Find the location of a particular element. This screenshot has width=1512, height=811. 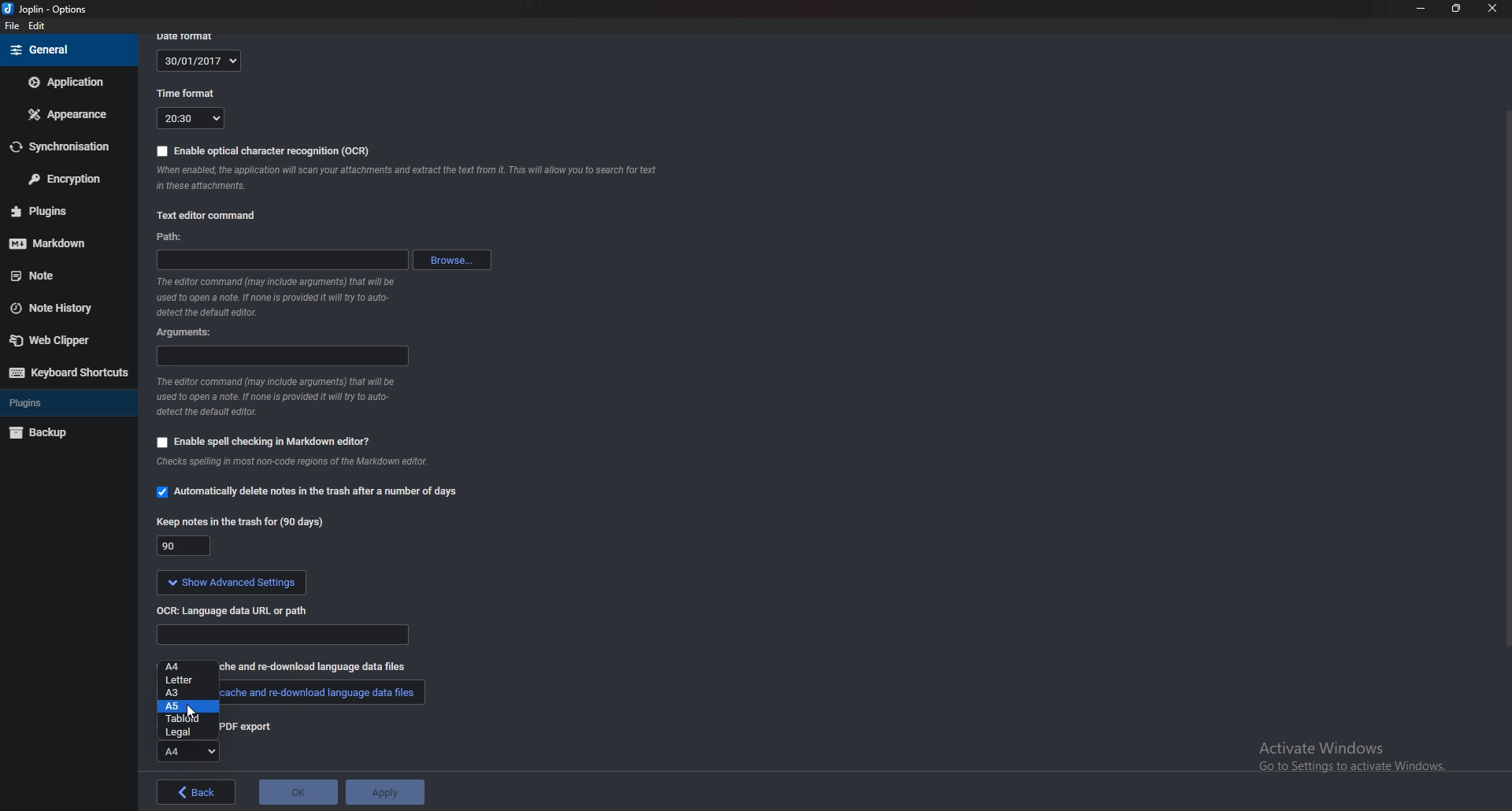

o C R language data url or path is located at coordinates (234, 613).